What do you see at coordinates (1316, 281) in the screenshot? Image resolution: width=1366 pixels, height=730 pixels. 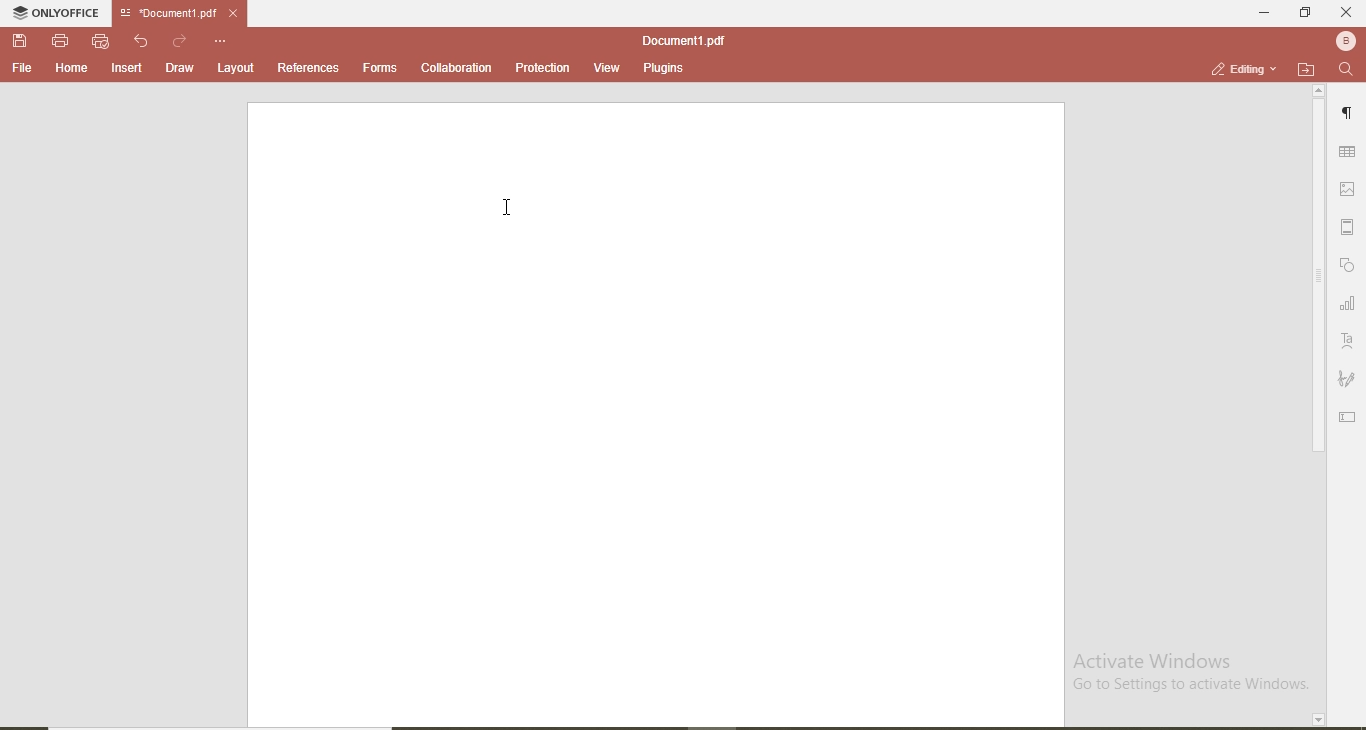 I see `scroll bar` at bounding box center [1316, 281].